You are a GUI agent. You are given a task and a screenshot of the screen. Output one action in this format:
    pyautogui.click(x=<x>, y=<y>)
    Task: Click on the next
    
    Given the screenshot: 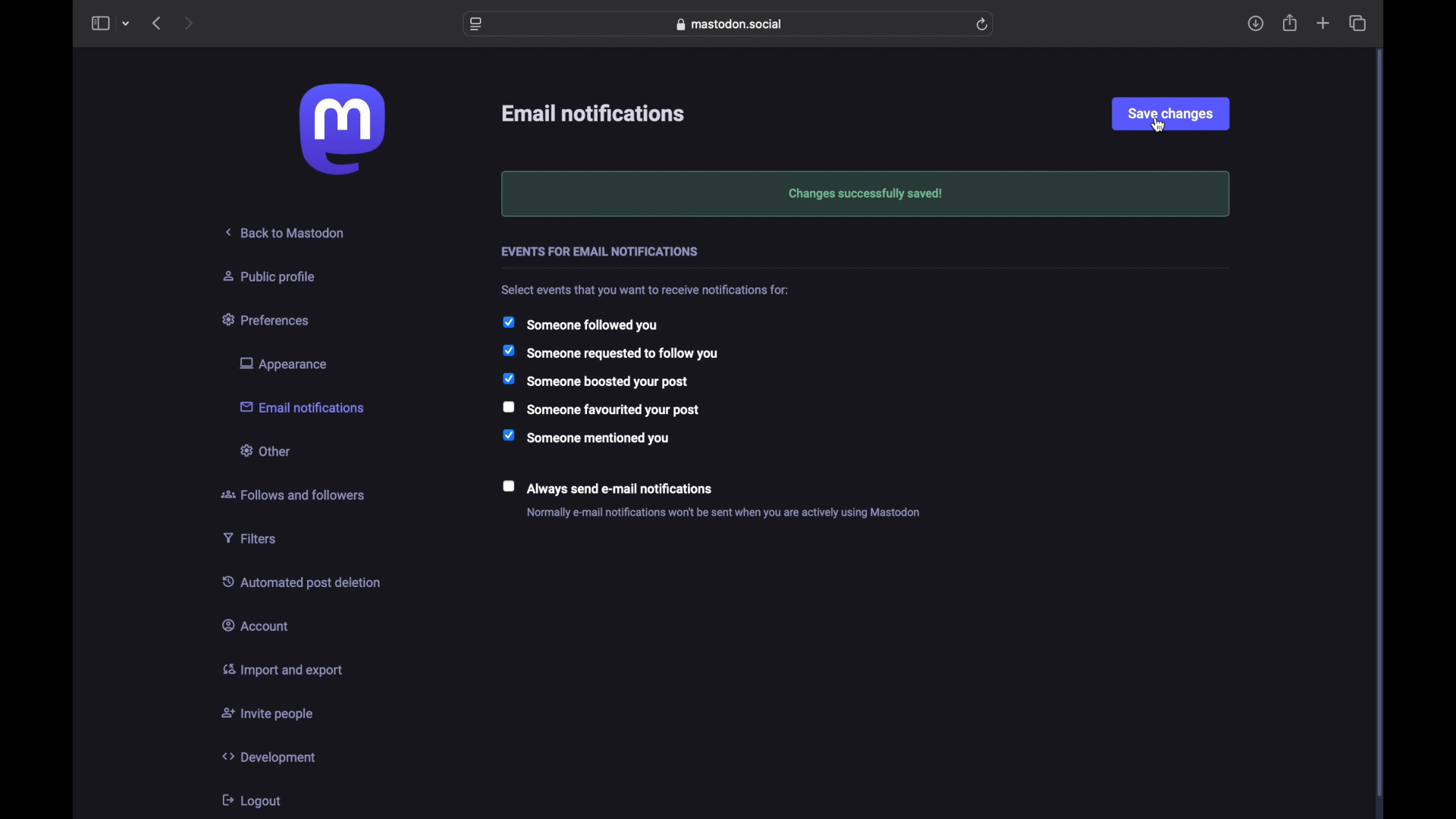 What is the action you would take?
    pyautogui.click(x=190, y=23)
    